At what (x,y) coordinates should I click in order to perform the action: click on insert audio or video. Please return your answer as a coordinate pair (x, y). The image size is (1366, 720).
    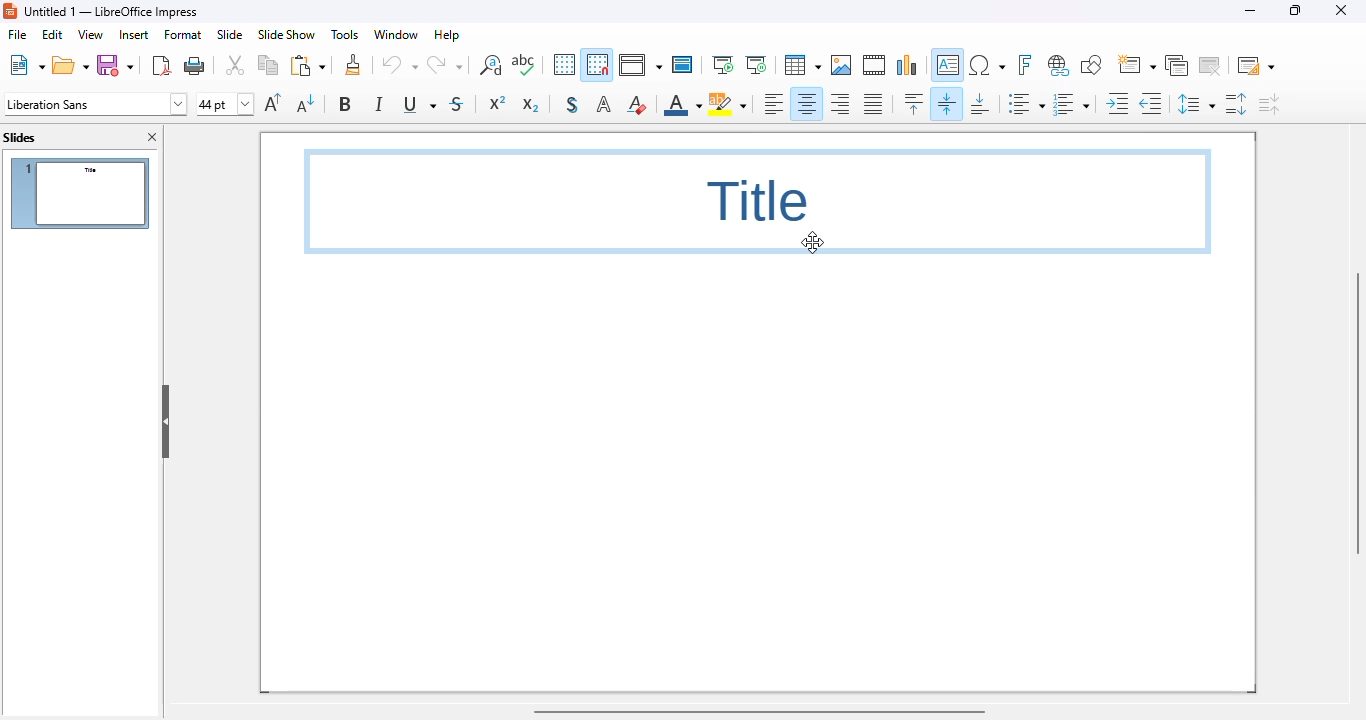
    Looking at the image, I should click on (874, 65).